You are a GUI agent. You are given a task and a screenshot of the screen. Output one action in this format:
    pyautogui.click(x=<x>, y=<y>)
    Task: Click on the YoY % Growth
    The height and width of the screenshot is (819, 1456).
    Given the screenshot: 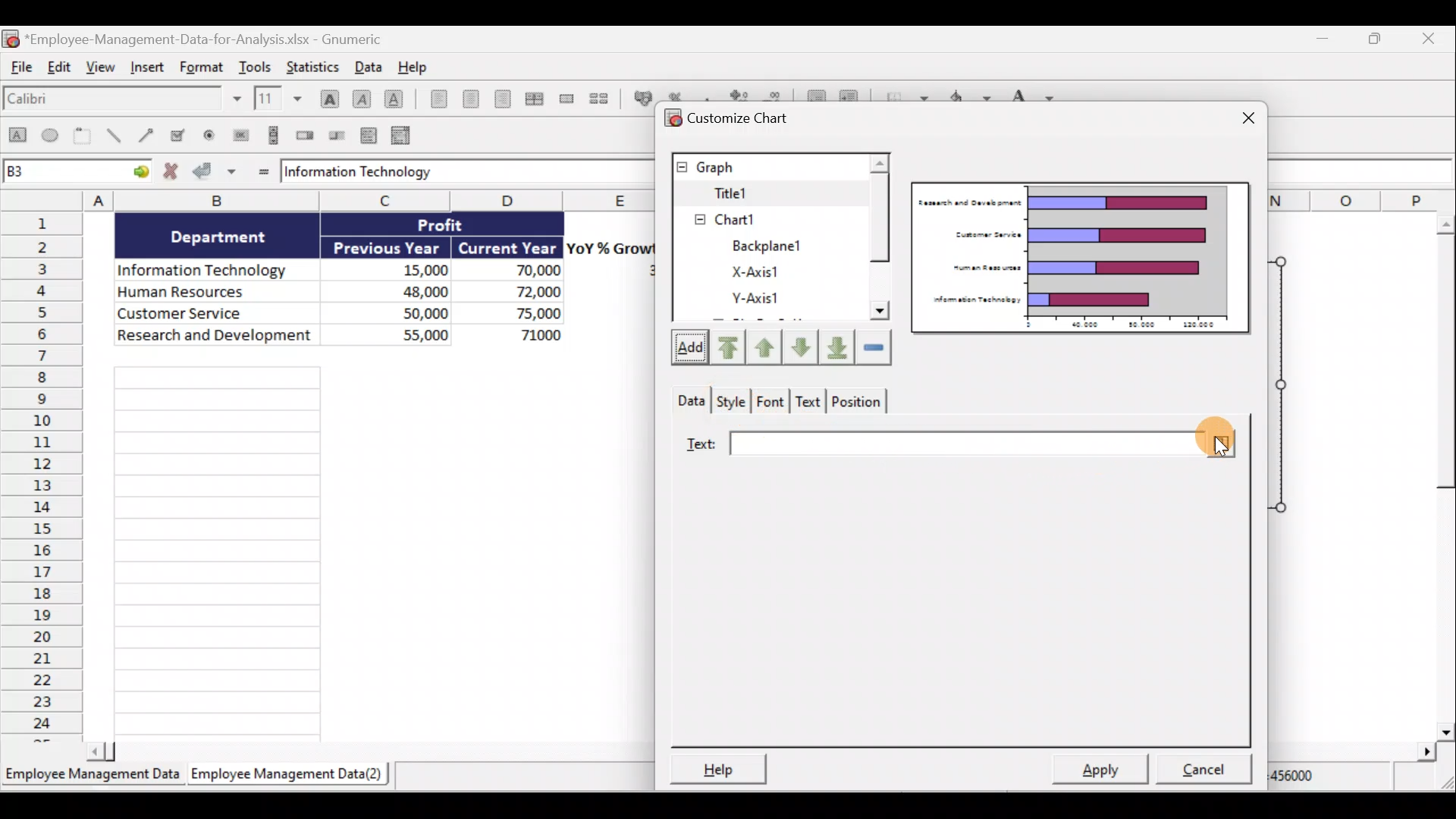 What is the action you would take?
    pyautogui.click(x=611, y=247)
    